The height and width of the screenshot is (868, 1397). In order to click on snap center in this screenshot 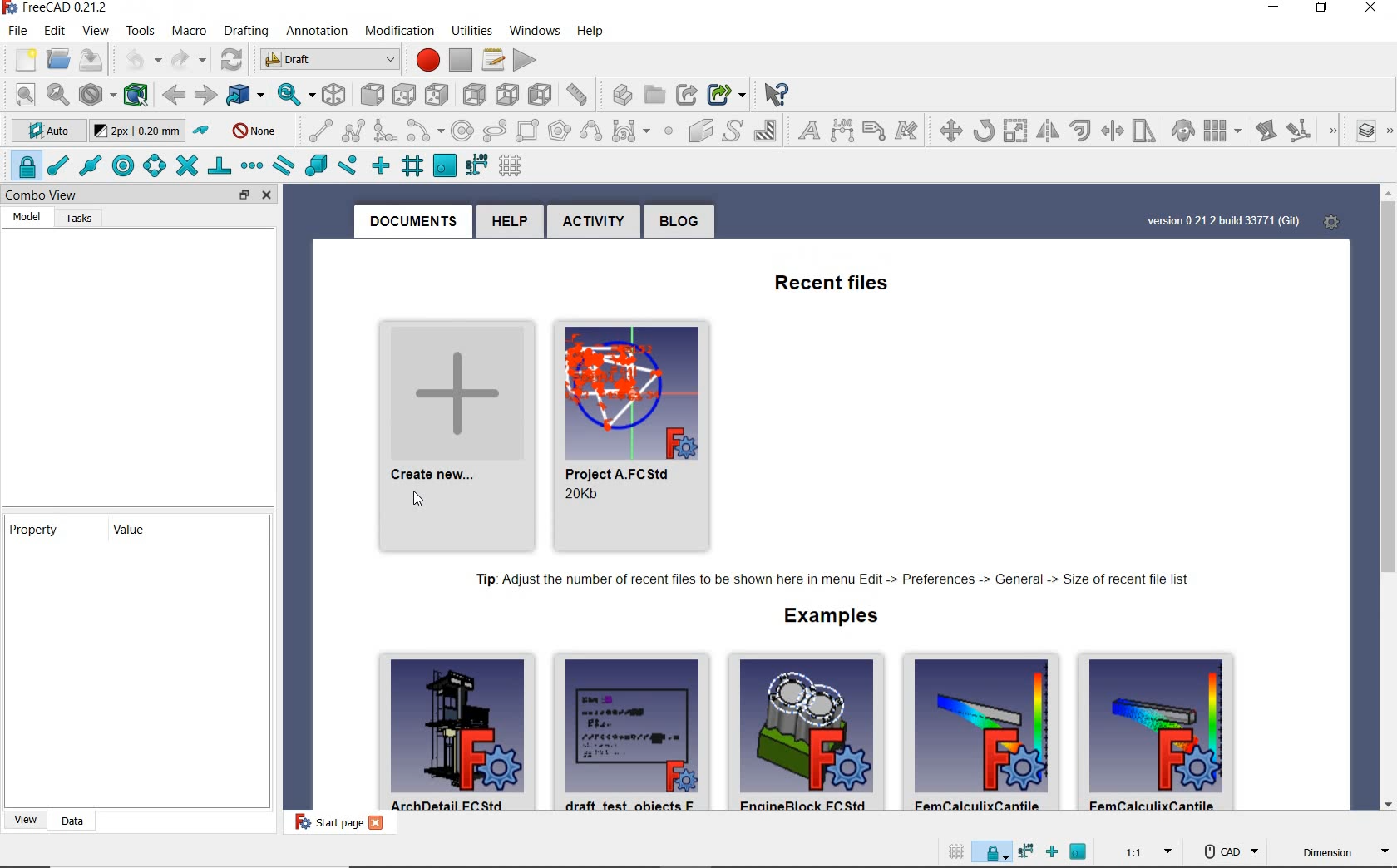, I will do `click(123, 165)`.